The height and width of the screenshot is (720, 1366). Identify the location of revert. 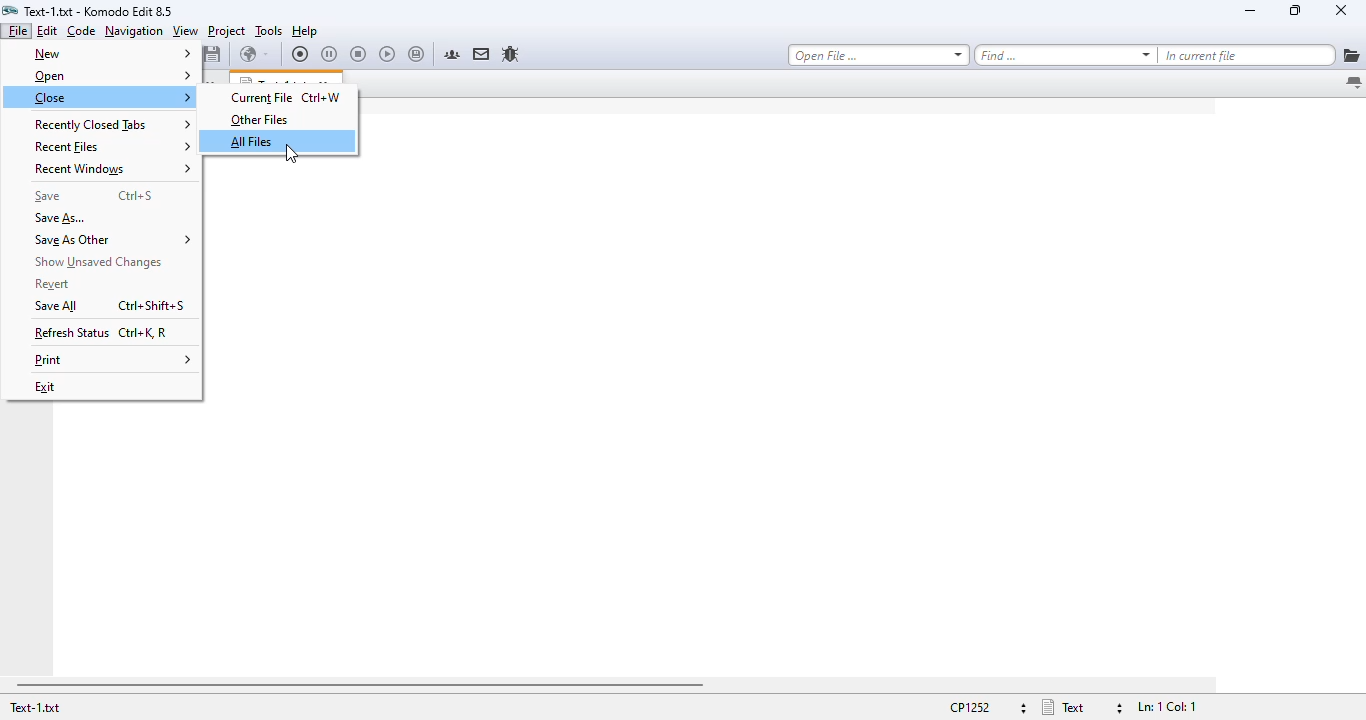
(53, 285).